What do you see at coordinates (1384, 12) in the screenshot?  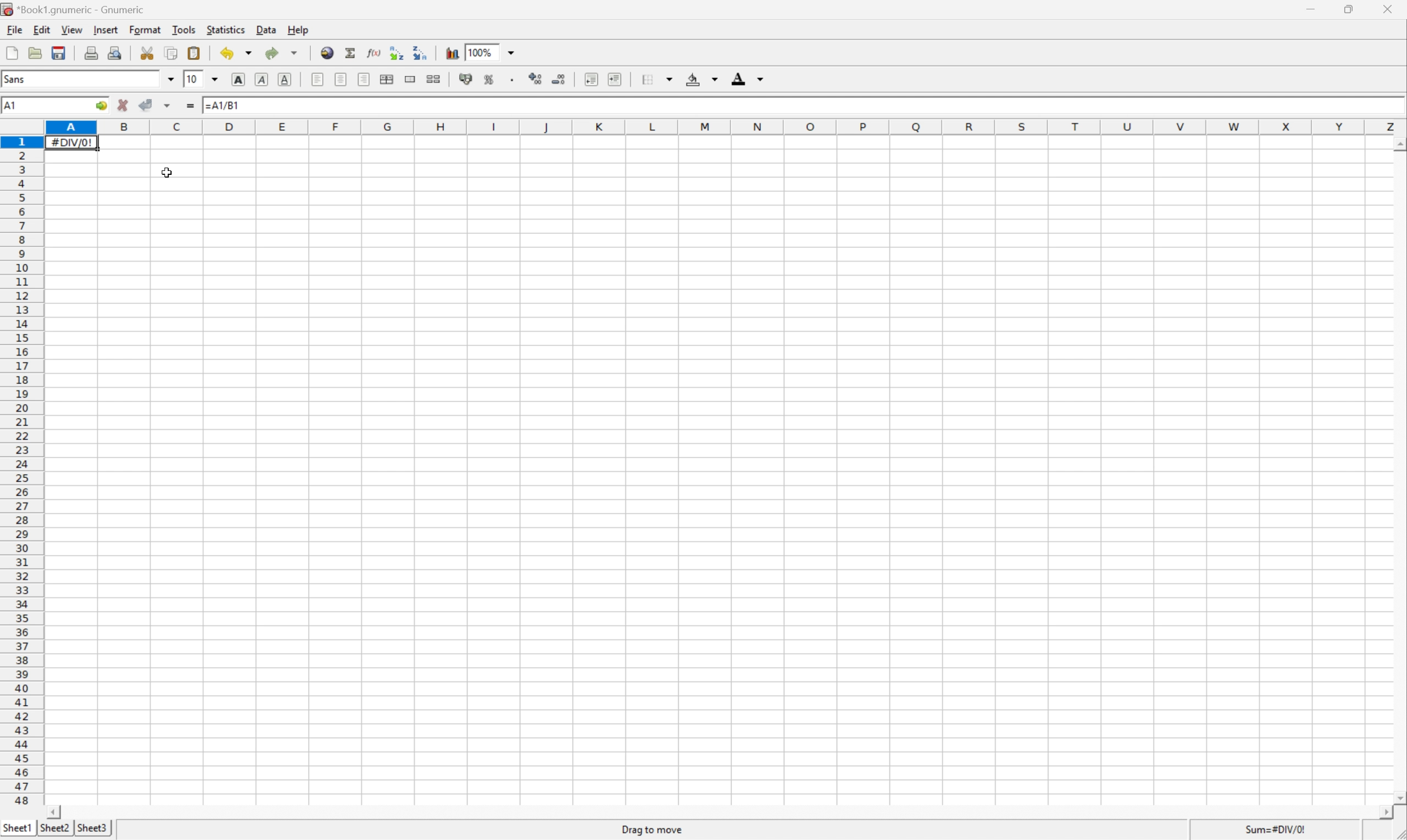 I see `close` at bounding box center [1384, 12].